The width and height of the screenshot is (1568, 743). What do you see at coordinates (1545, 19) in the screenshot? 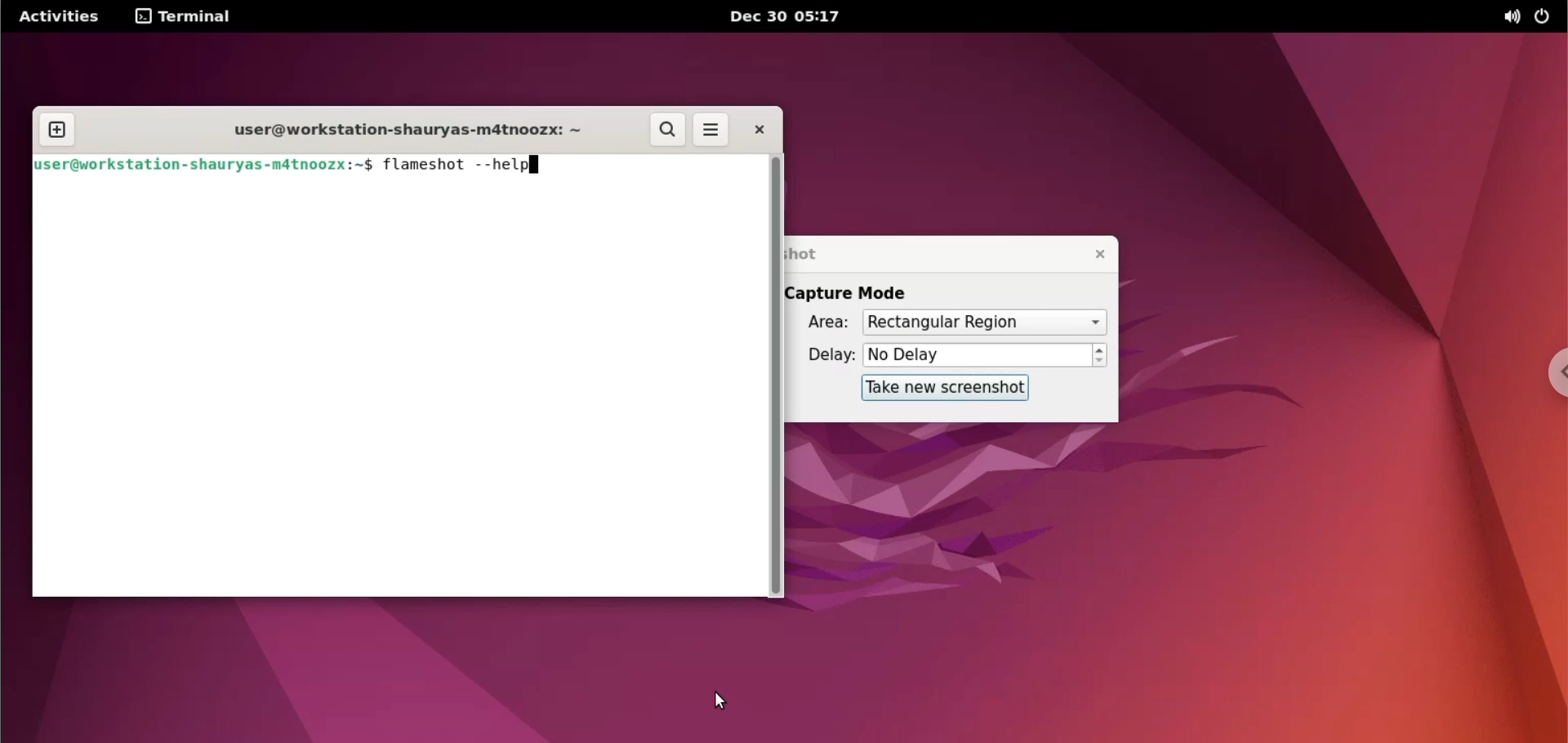
I see `power options` at bounding box center [1545, 19].